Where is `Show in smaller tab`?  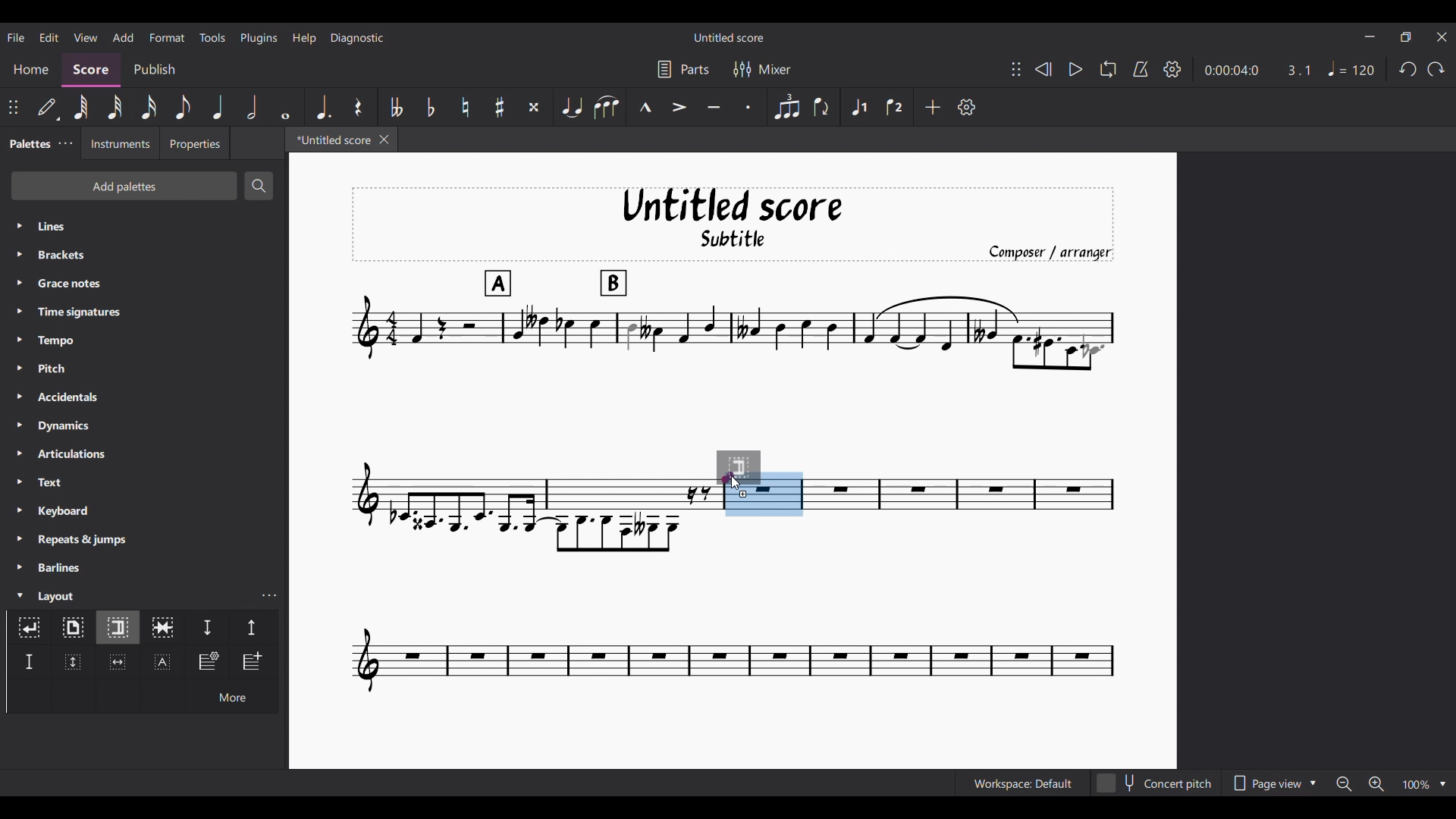
Show in smaller tab is located at coordinates (1405, 37).